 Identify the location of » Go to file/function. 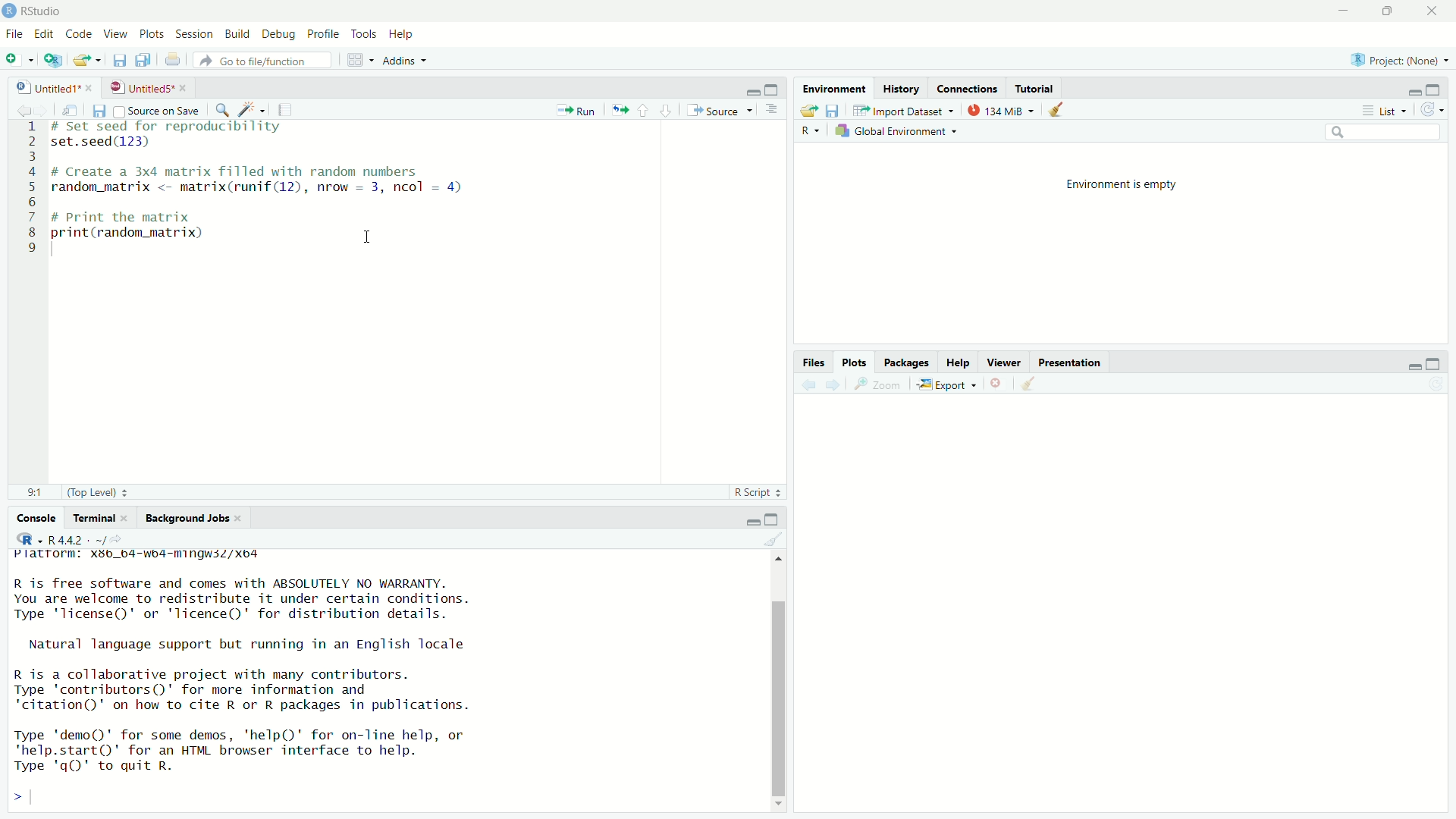
(255, 60).